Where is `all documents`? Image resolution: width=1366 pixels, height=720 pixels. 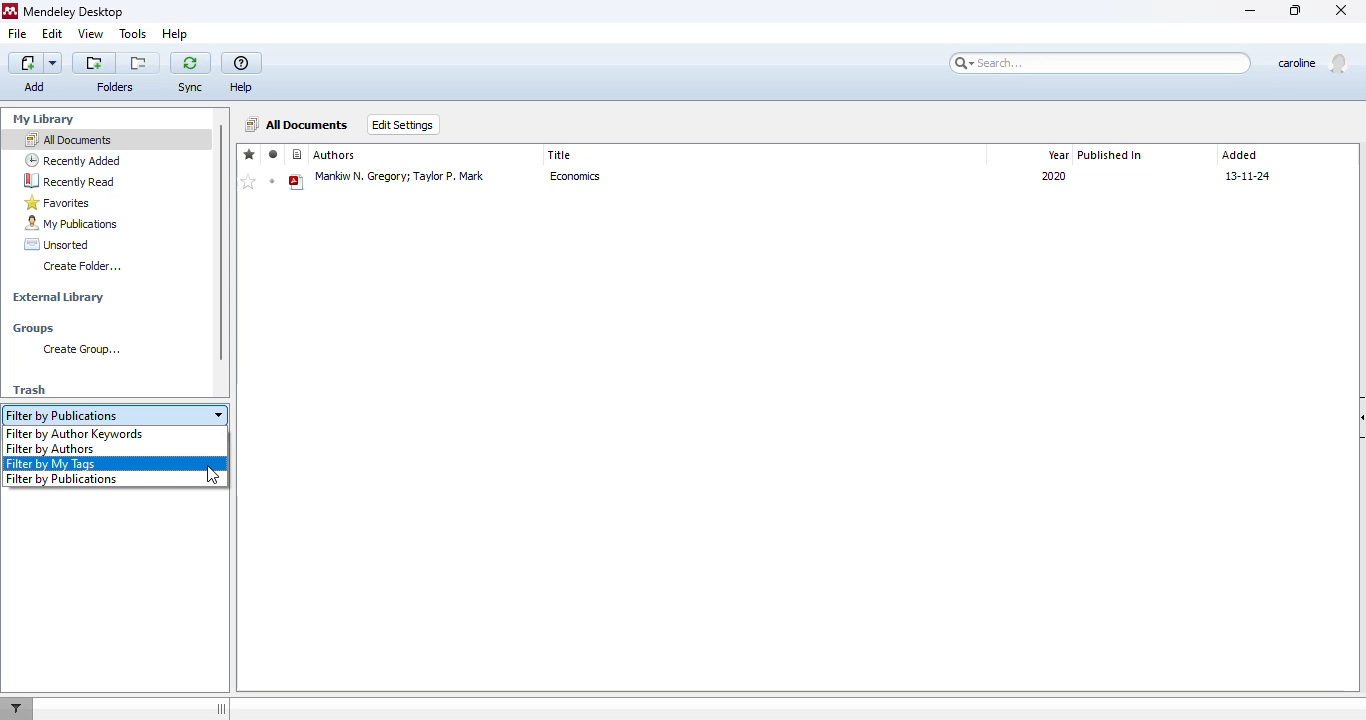 all documents is located at coordinates (298, 124).